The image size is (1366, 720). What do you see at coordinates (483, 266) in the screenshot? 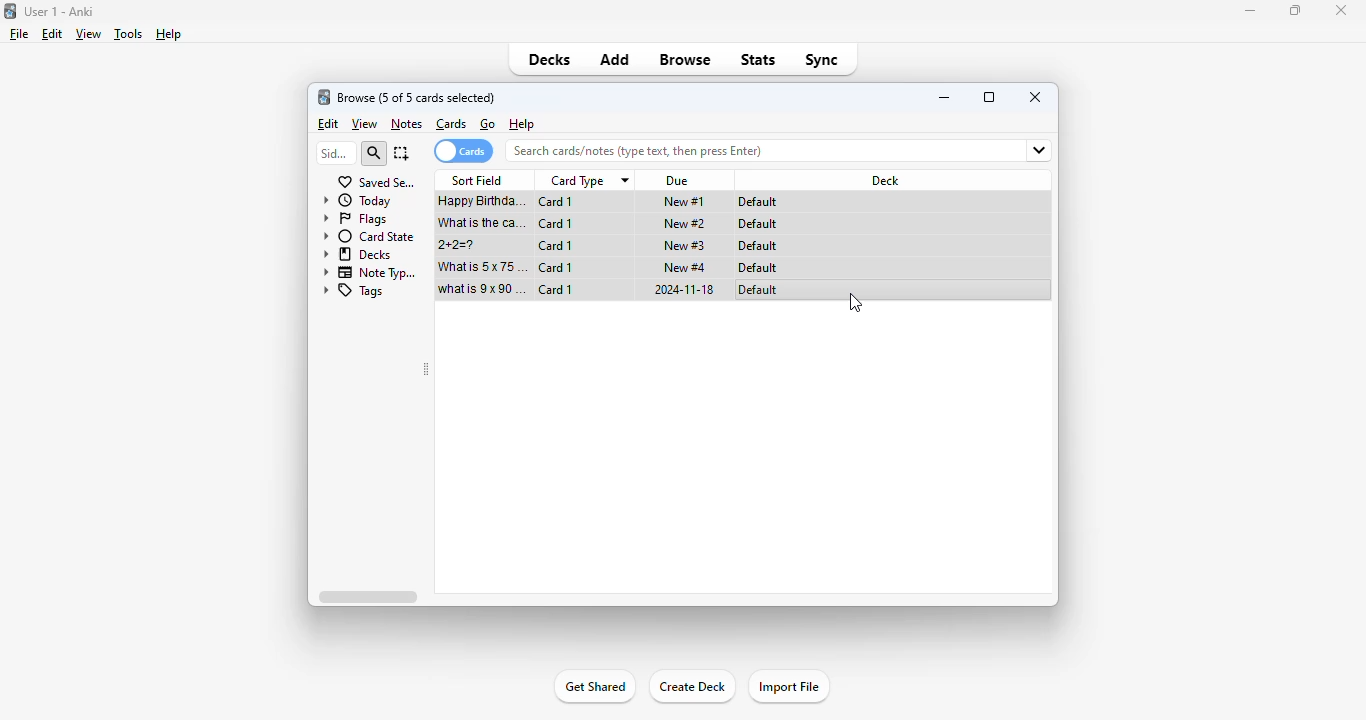
I see `what is 5x75=?` at bounding box center [483, 266].